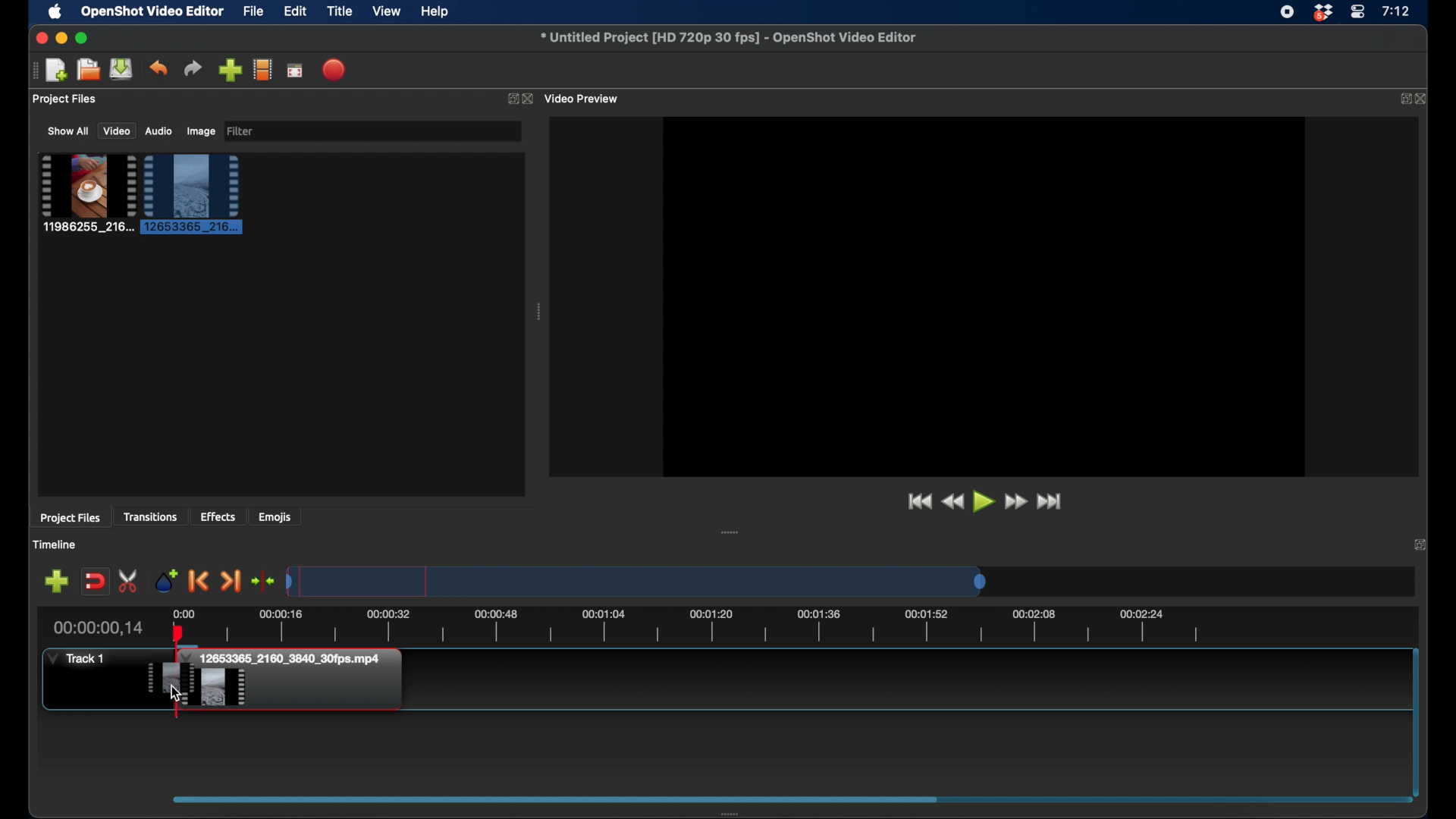 The width and height of the screenshot is (1456, 819). What do you see at coordinates (192, 194) in the screenshot?
I see `clip selected` at bounding box center [192, 194].